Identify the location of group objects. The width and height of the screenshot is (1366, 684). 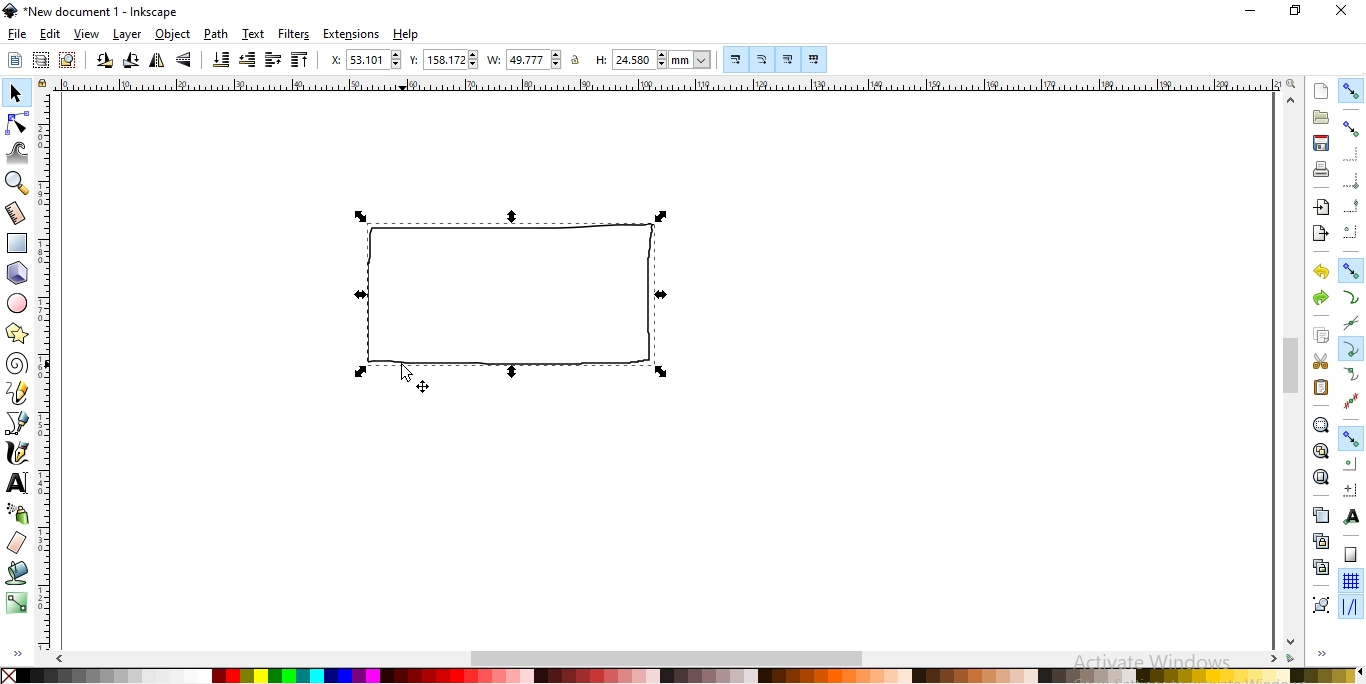
(1321, 604).